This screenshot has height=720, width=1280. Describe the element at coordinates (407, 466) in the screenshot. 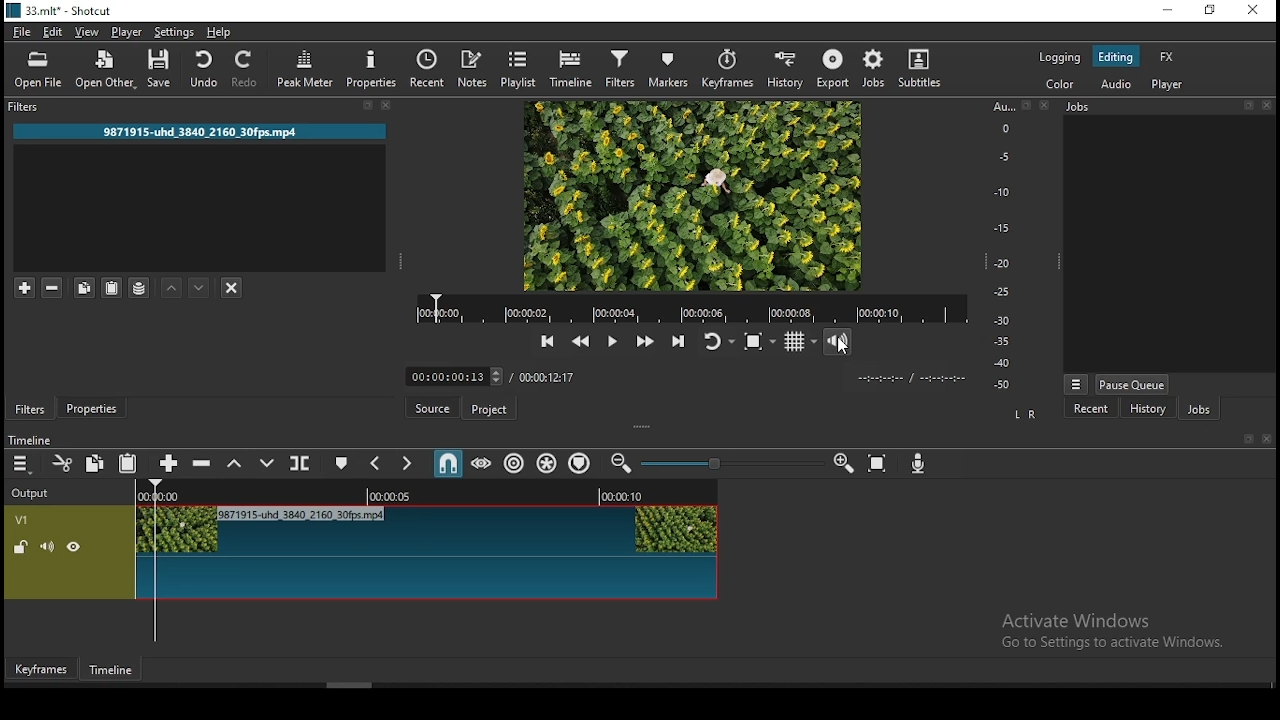

I see `next marker` at that location.